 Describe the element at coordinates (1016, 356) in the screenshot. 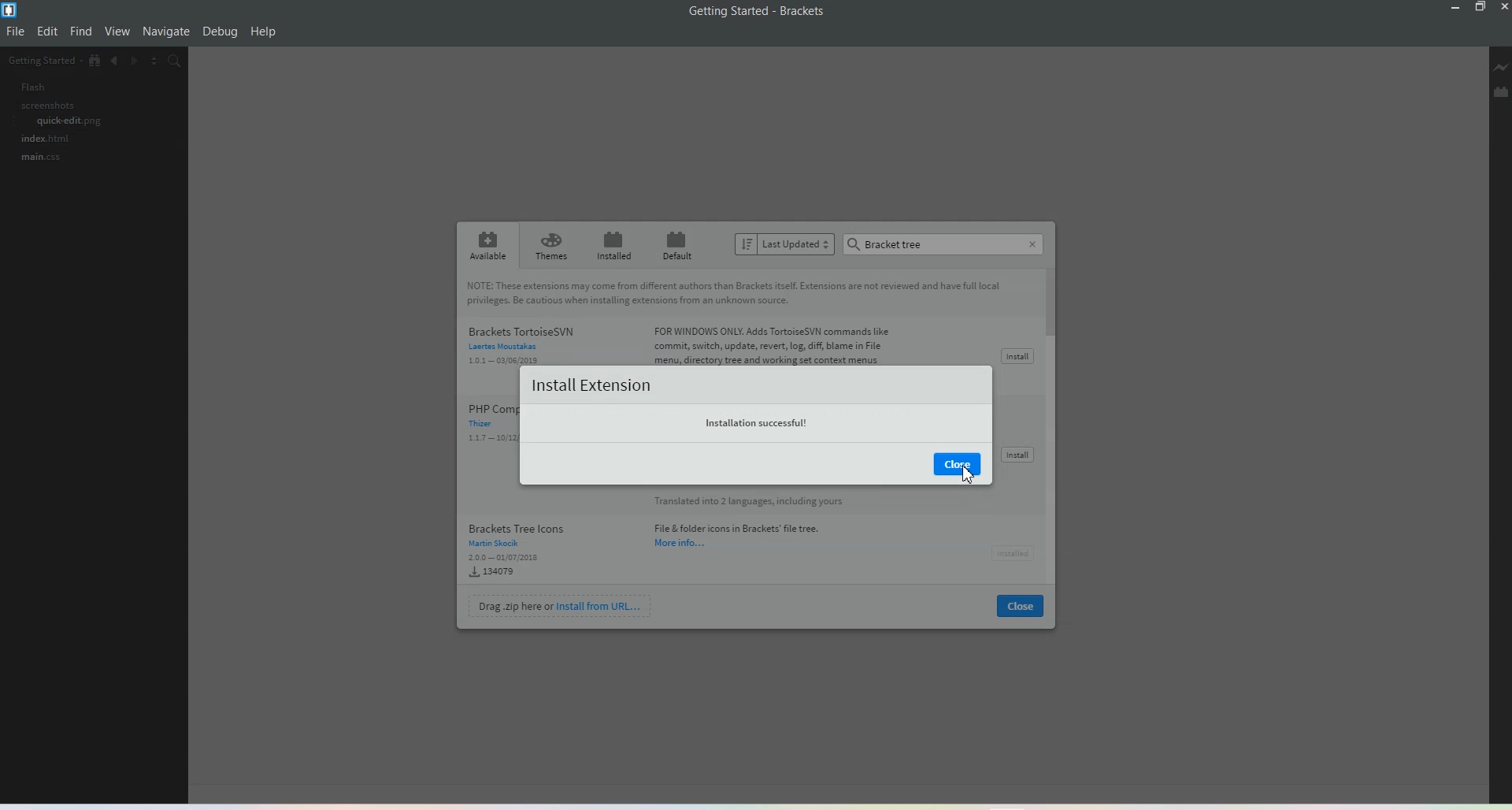

I see `Install` at that location.